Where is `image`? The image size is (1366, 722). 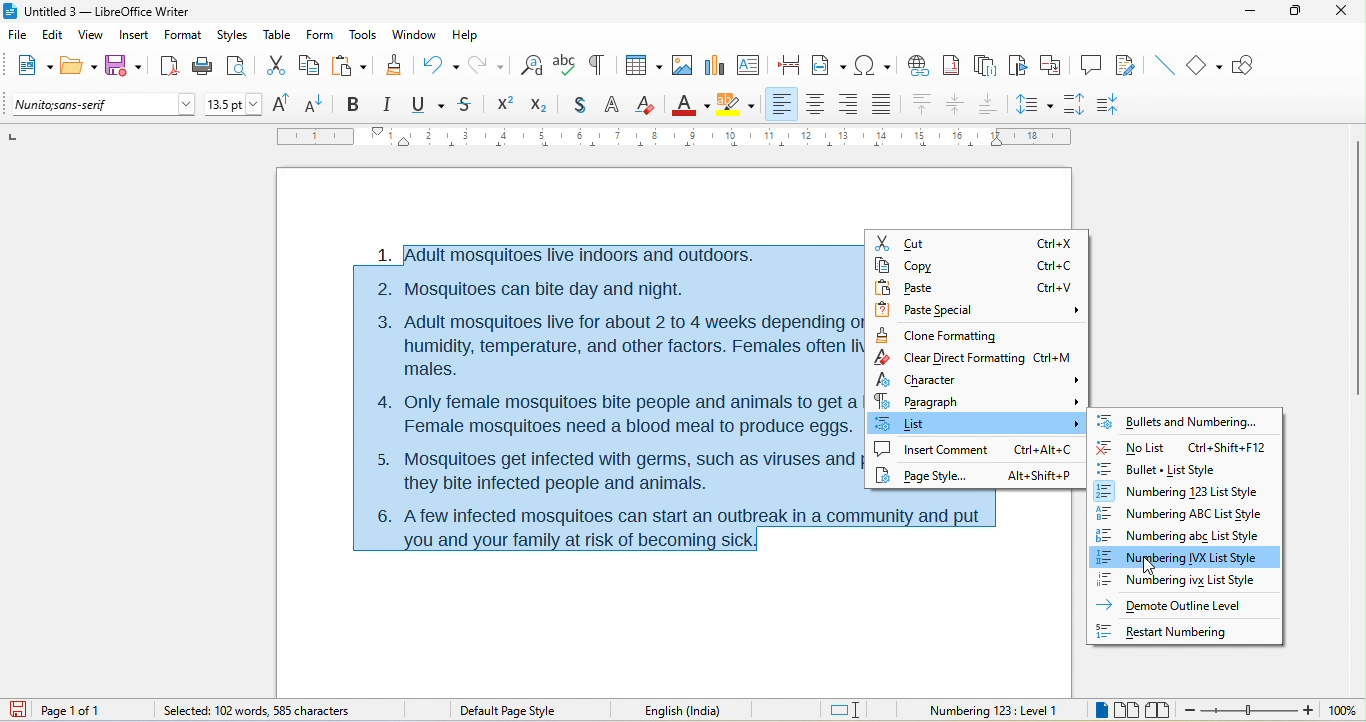 image is located at coordinates (683, 67).